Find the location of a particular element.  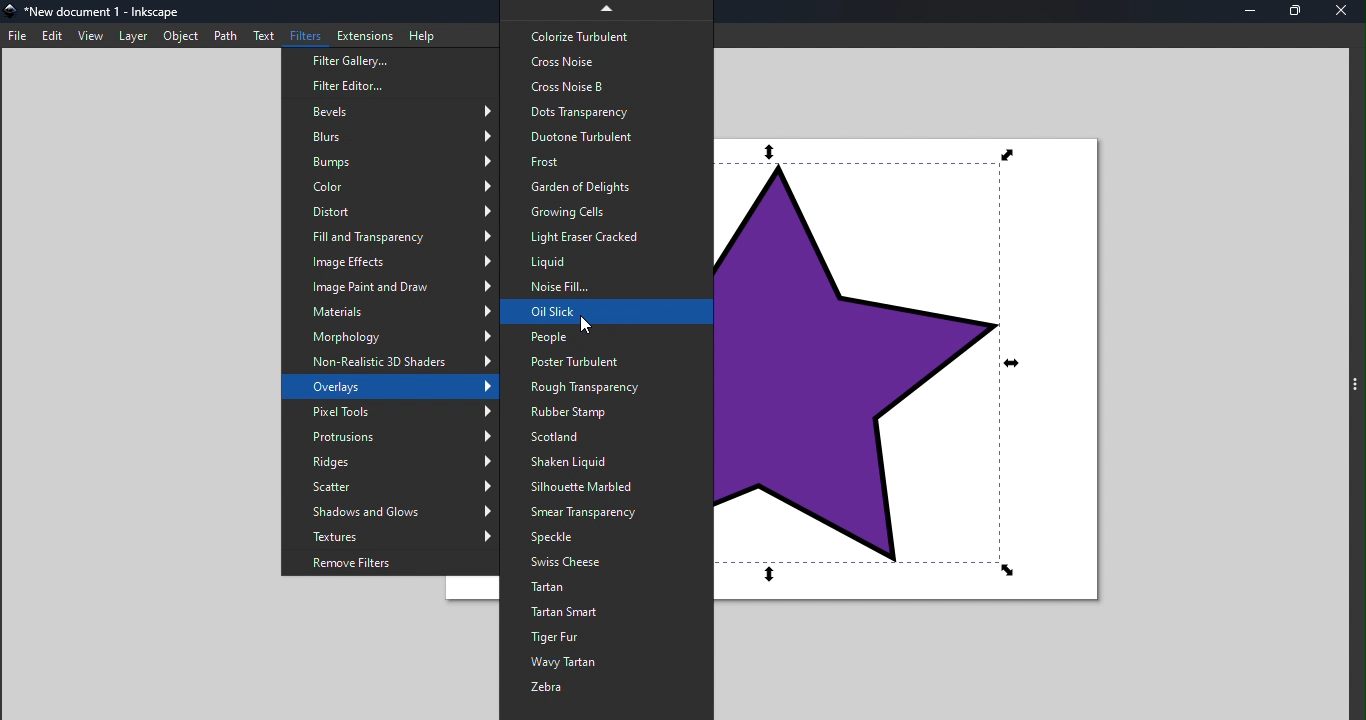

Filter editor is located at coordinates (385, 86).